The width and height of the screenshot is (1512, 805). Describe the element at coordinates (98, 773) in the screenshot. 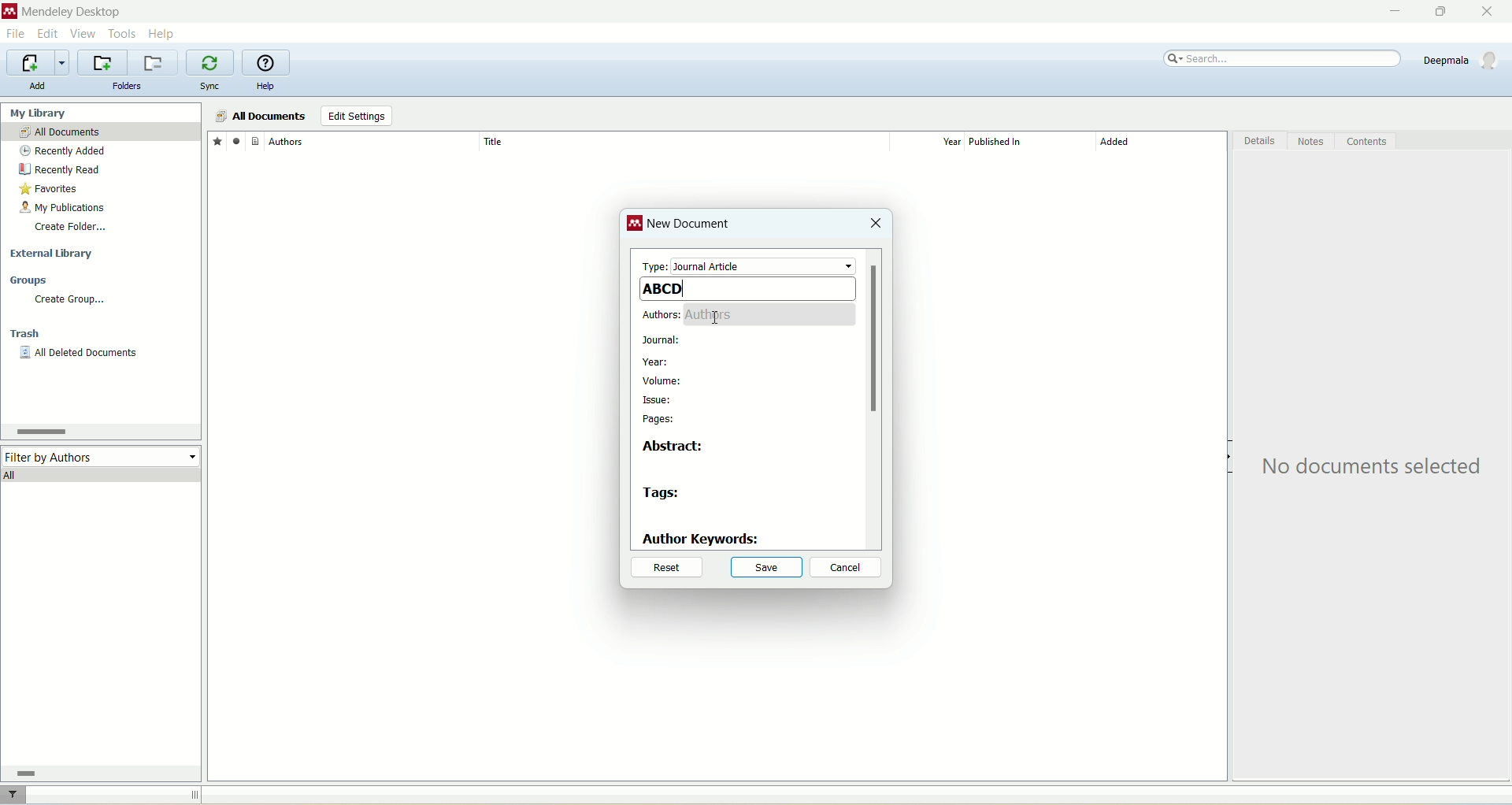

I see `horizontal scroll bar` at that location.